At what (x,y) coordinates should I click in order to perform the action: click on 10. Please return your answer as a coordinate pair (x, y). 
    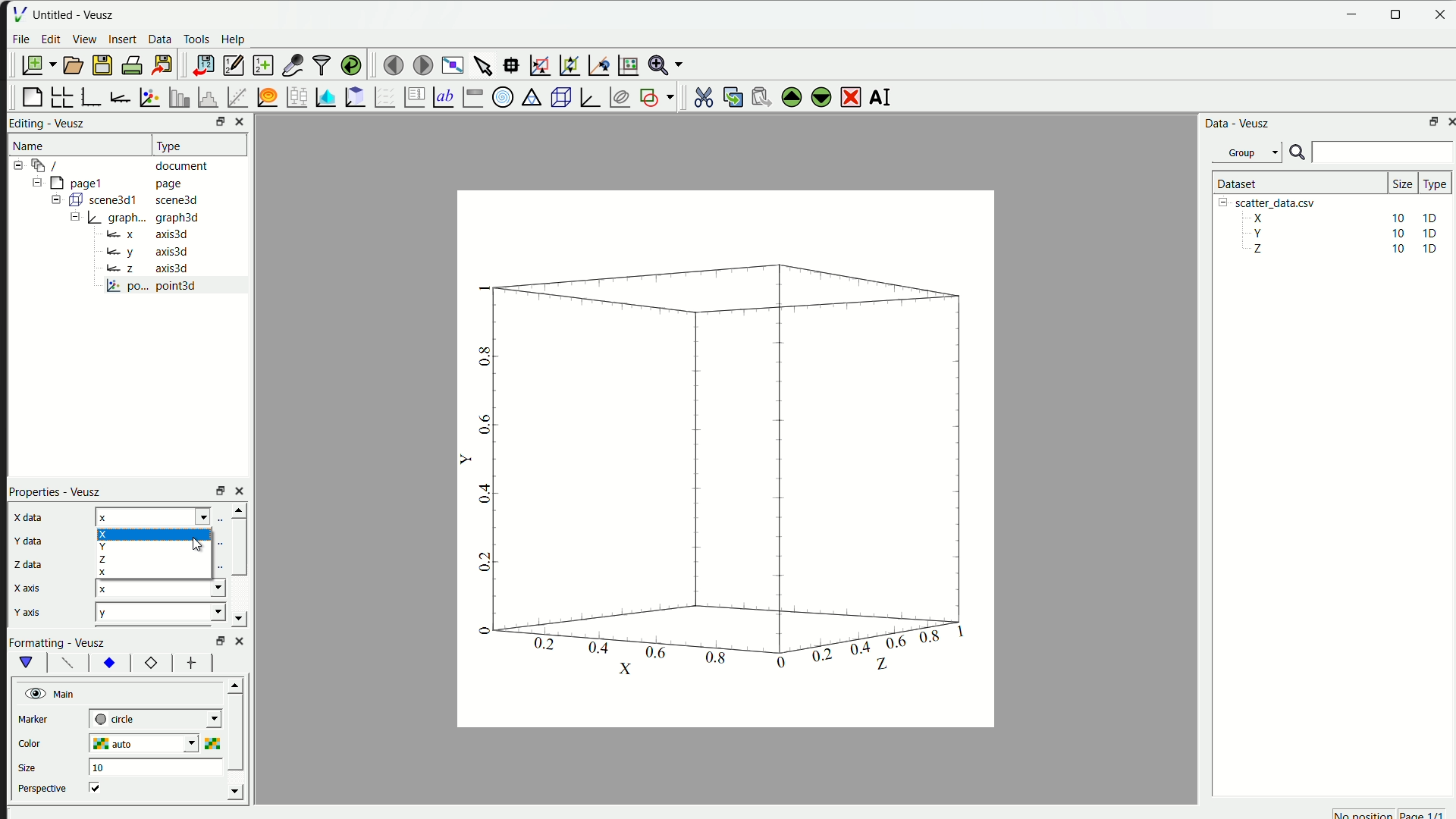
    Looking at the image, I should click on (97, 767).